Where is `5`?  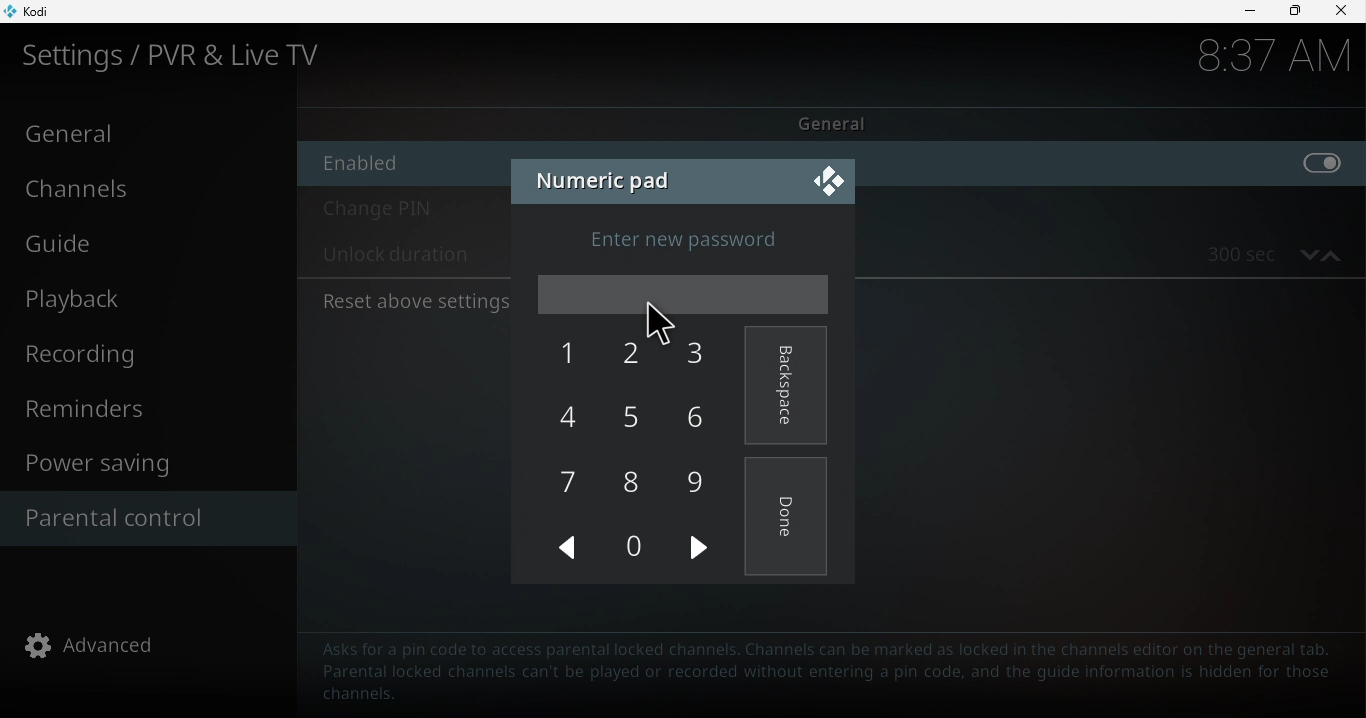 5 is located at coordinates (639, 420).